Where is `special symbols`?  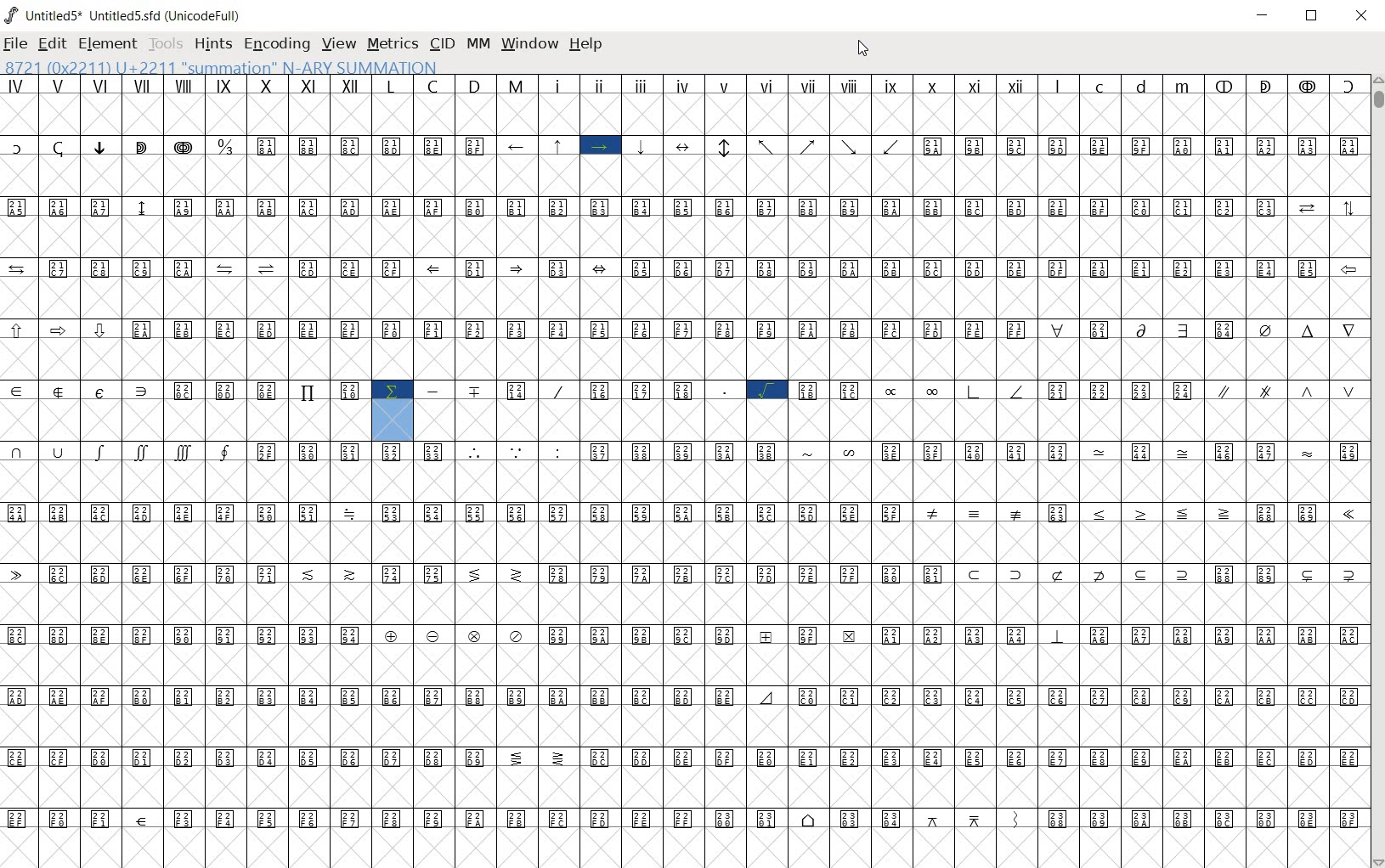
special symbols is located at coordinates (681, 268).